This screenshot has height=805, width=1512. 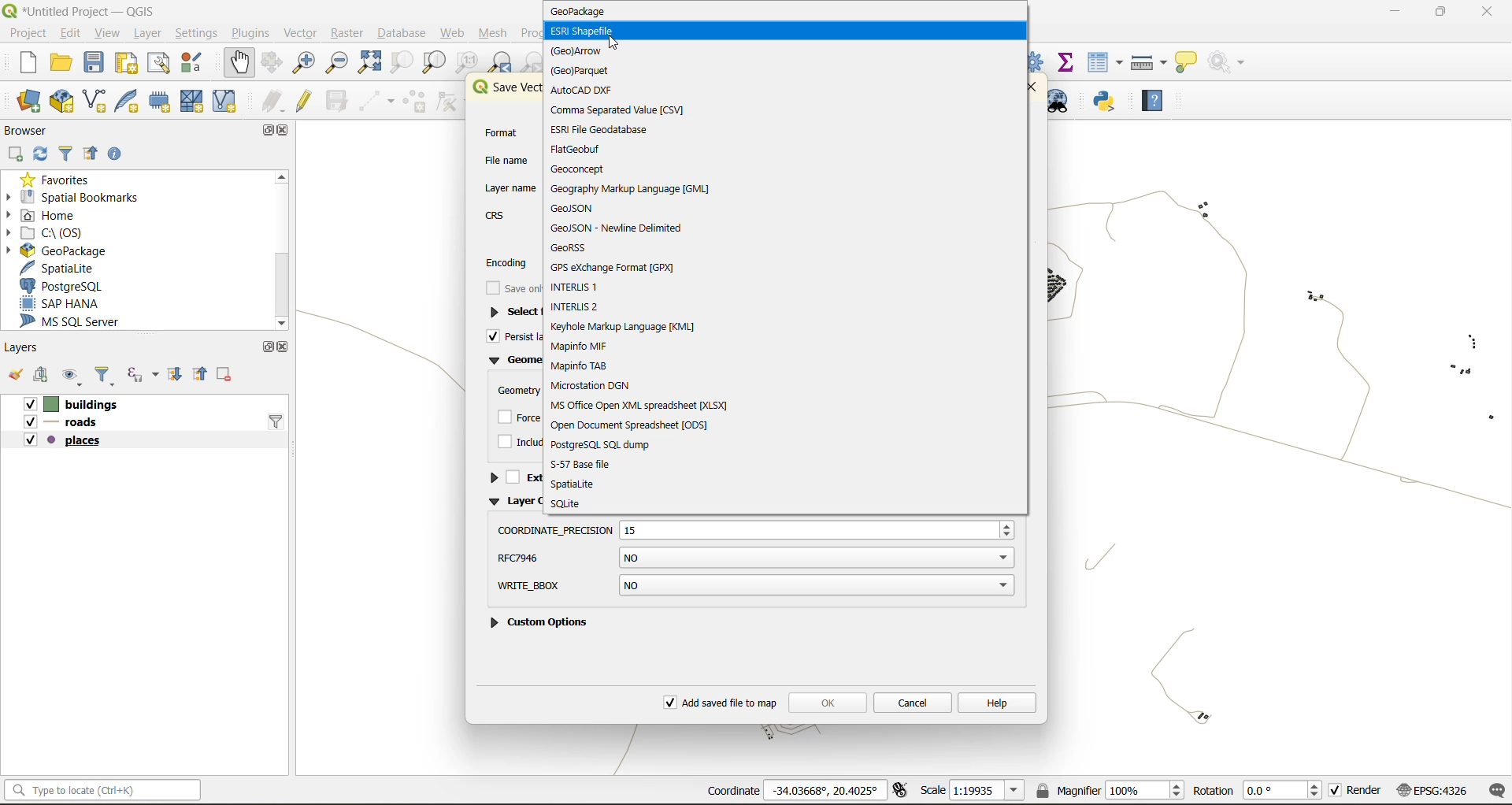 What do you see at coordinates (1190, 63) in the screenshot?
I see `show tips` at bounding box center [1190, 63].